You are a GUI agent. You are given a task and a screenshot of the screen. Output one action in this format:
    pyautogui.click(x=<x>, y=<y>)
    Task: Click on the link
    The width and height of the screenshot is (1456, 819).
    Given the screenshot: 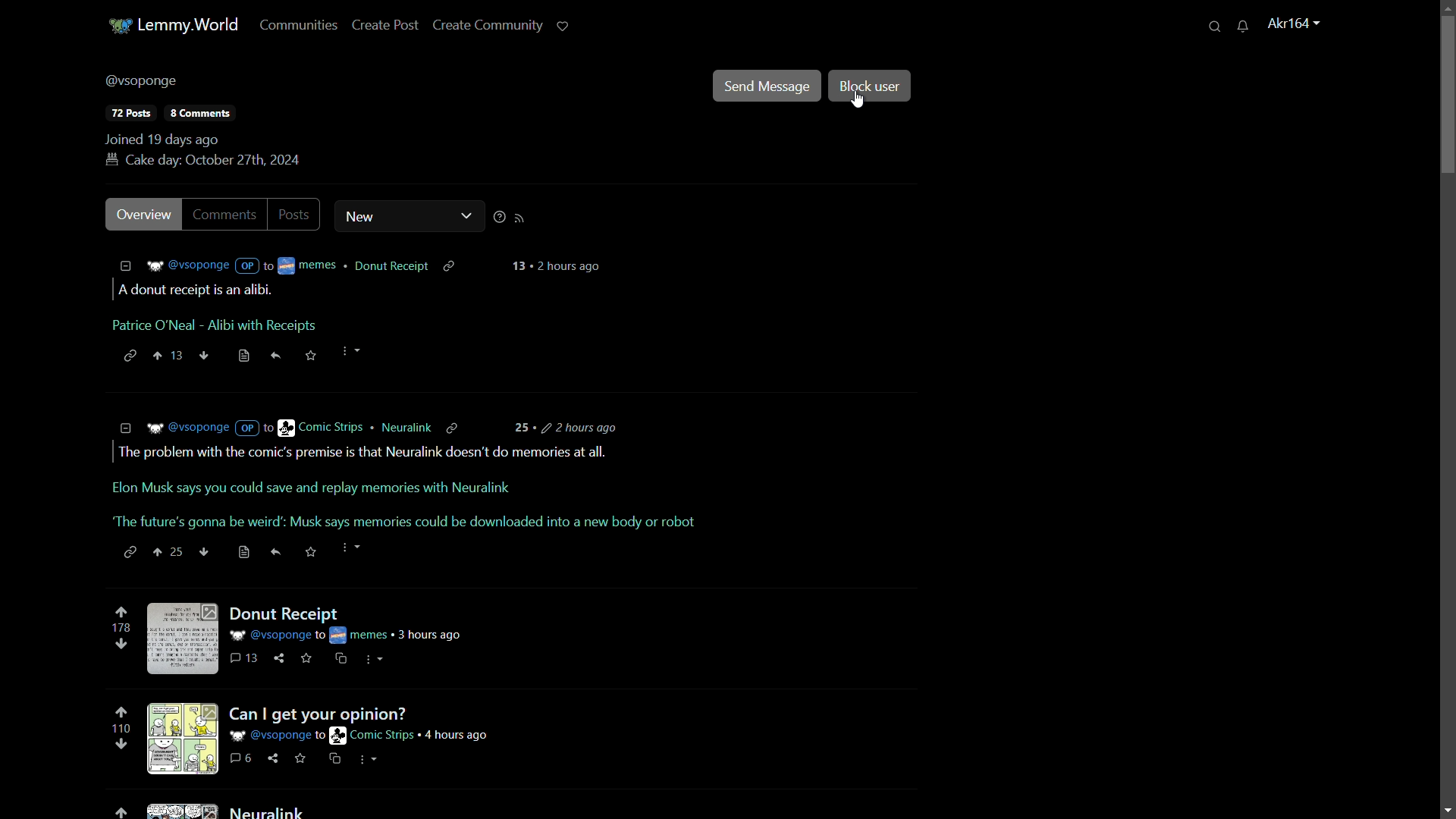 What is the action you would take?
    pyautogui.click(x=127, y=355)
    